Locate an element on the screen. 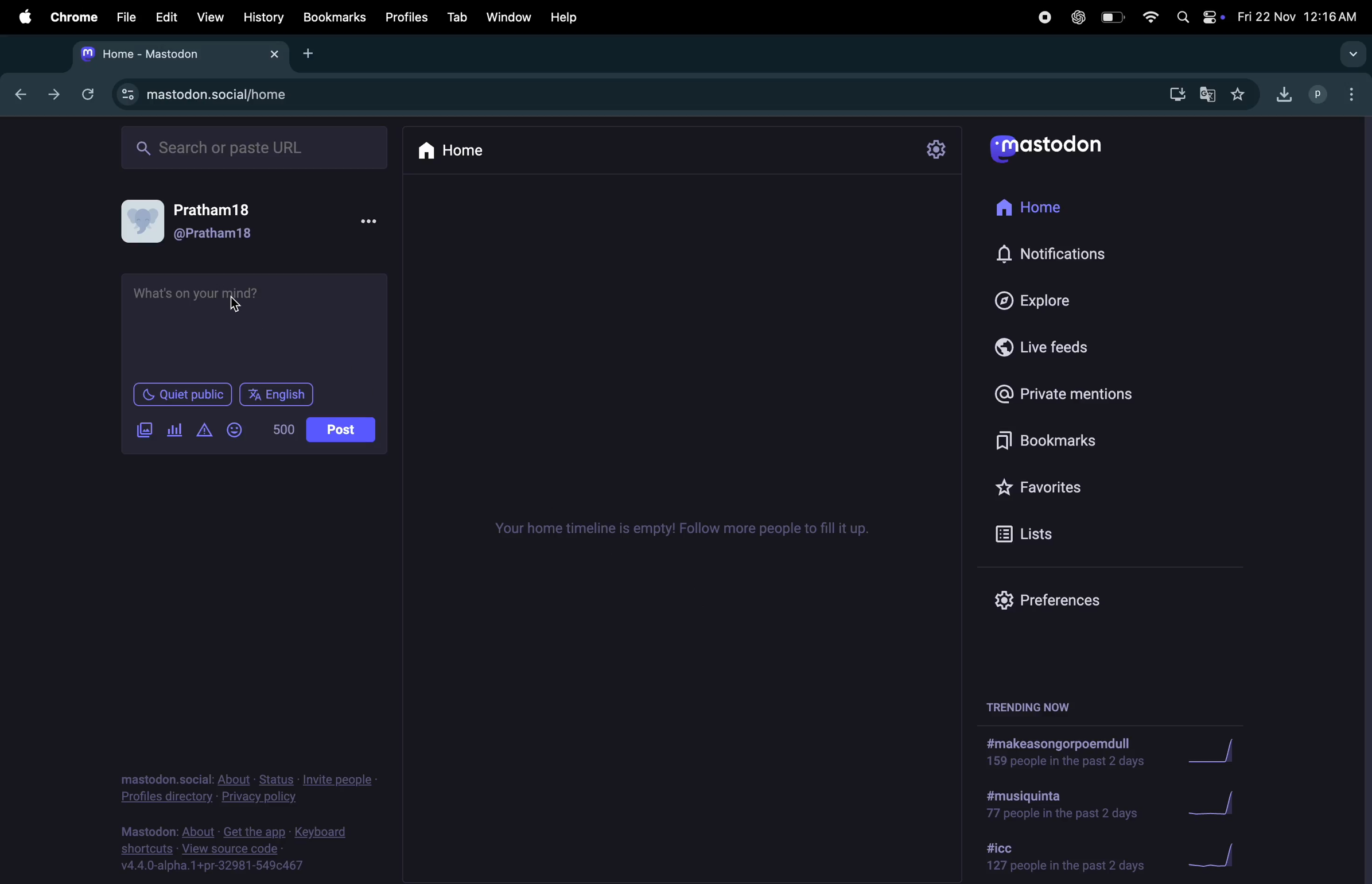 The width and height of the screenshot is (1372, 884). tab is located at coordinates (460, 15).